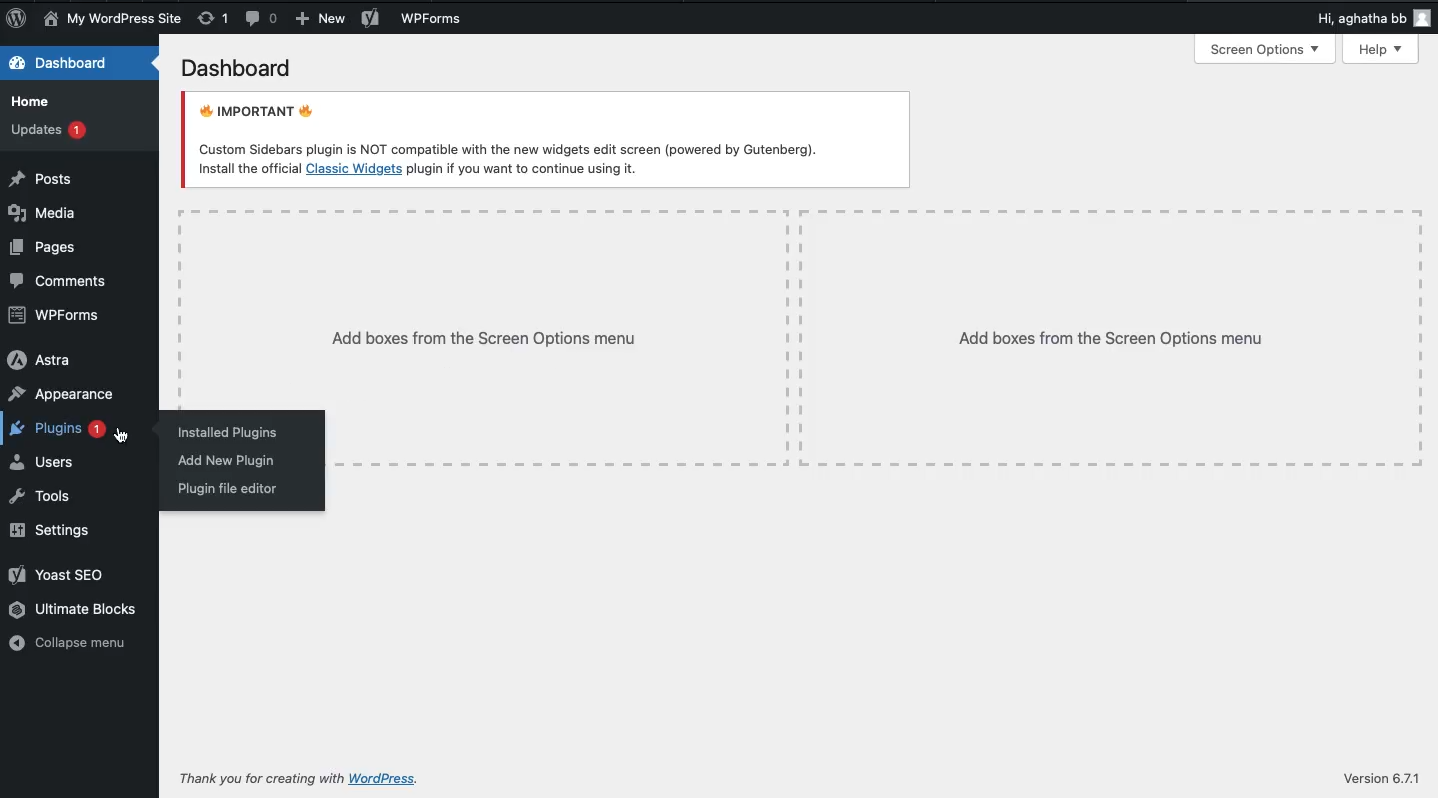 The image size is (1438, 798). I want to click on Install the official , so click(247, 168).